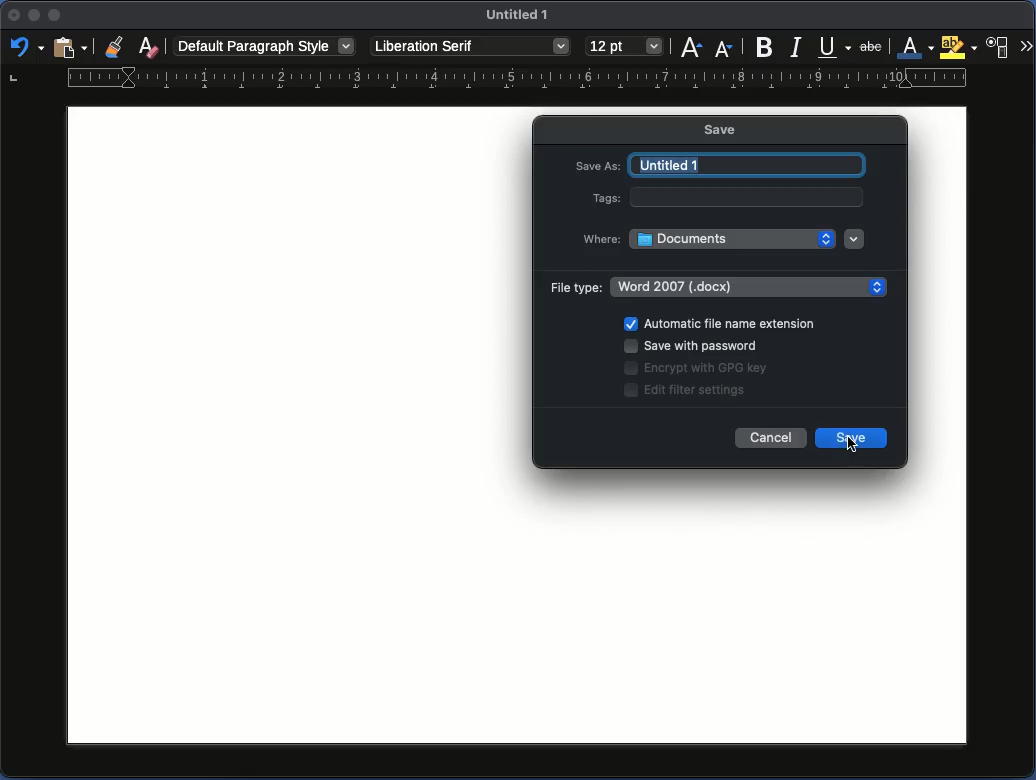 The image size is (1036, 780). I want to click on Bold, so click(765, 45).